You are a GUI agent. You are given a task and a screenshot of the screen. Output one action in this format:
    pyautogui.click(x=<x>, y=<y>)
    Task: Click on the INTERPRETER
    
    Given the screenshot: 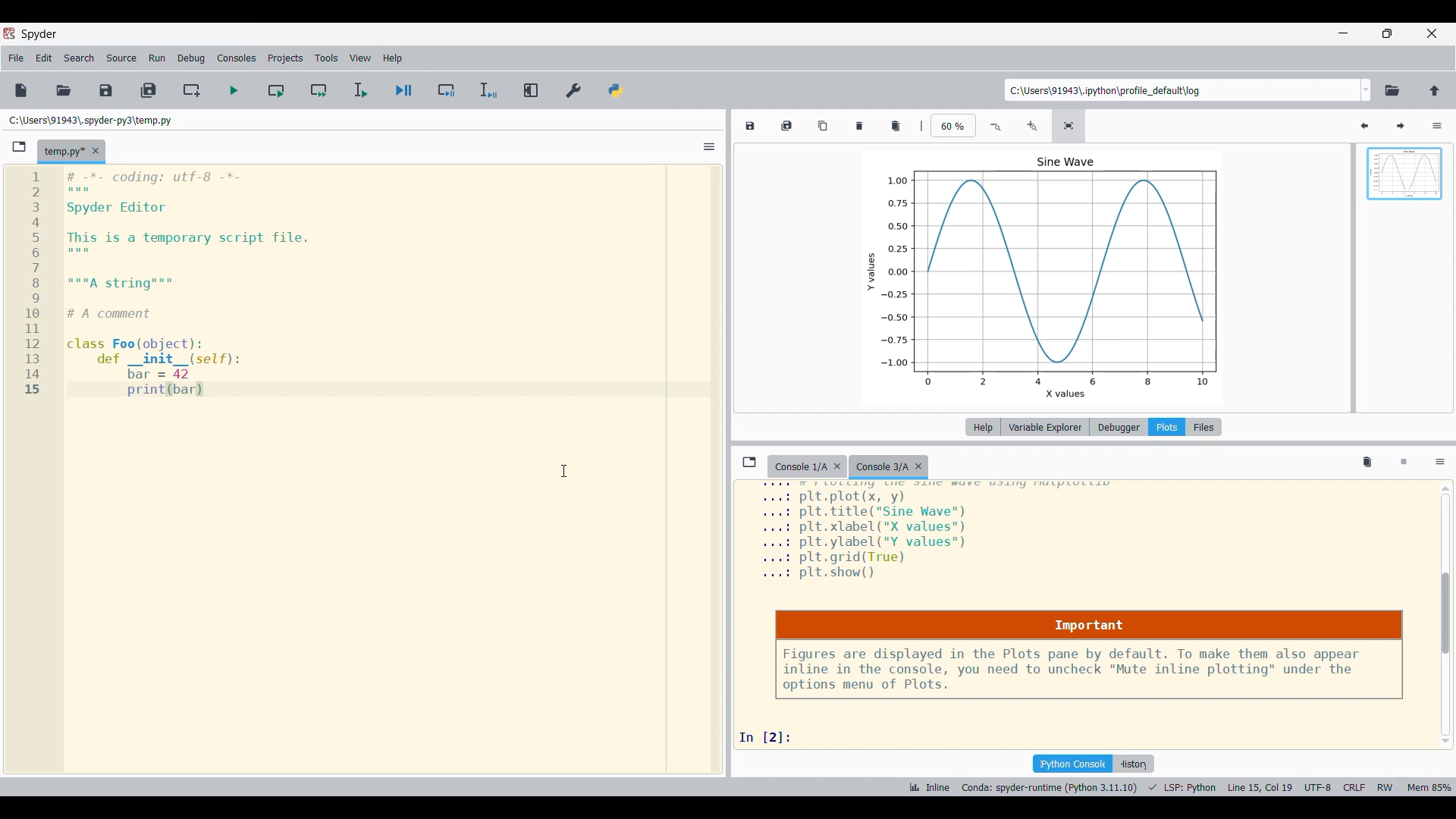 What is the action you would take?
    pyautogui.click(x=1050, y=787)
    